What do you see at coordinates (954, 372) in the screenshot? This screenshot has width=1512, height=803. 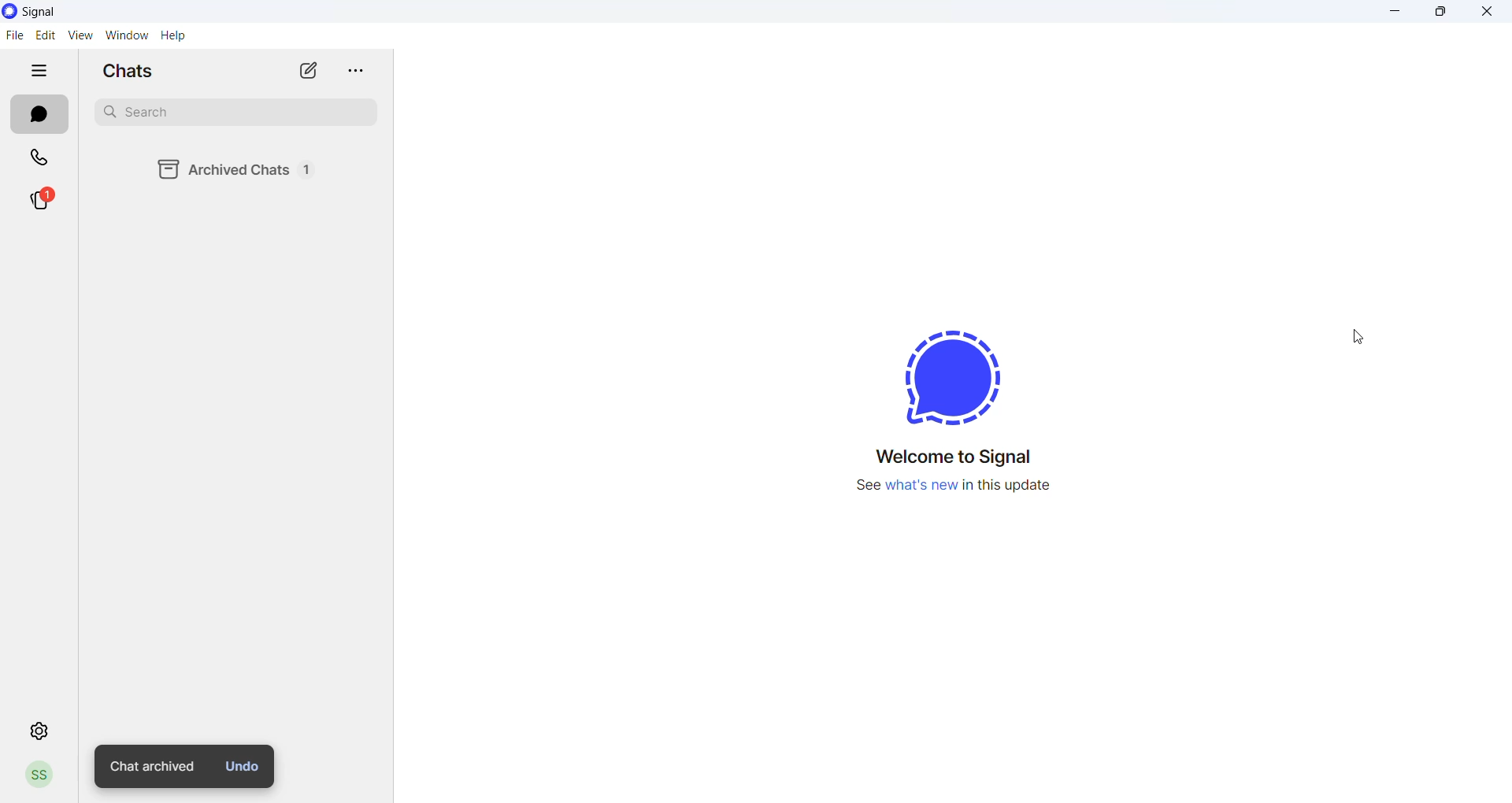 I see `signal logo` at bounding box center [954, 372].